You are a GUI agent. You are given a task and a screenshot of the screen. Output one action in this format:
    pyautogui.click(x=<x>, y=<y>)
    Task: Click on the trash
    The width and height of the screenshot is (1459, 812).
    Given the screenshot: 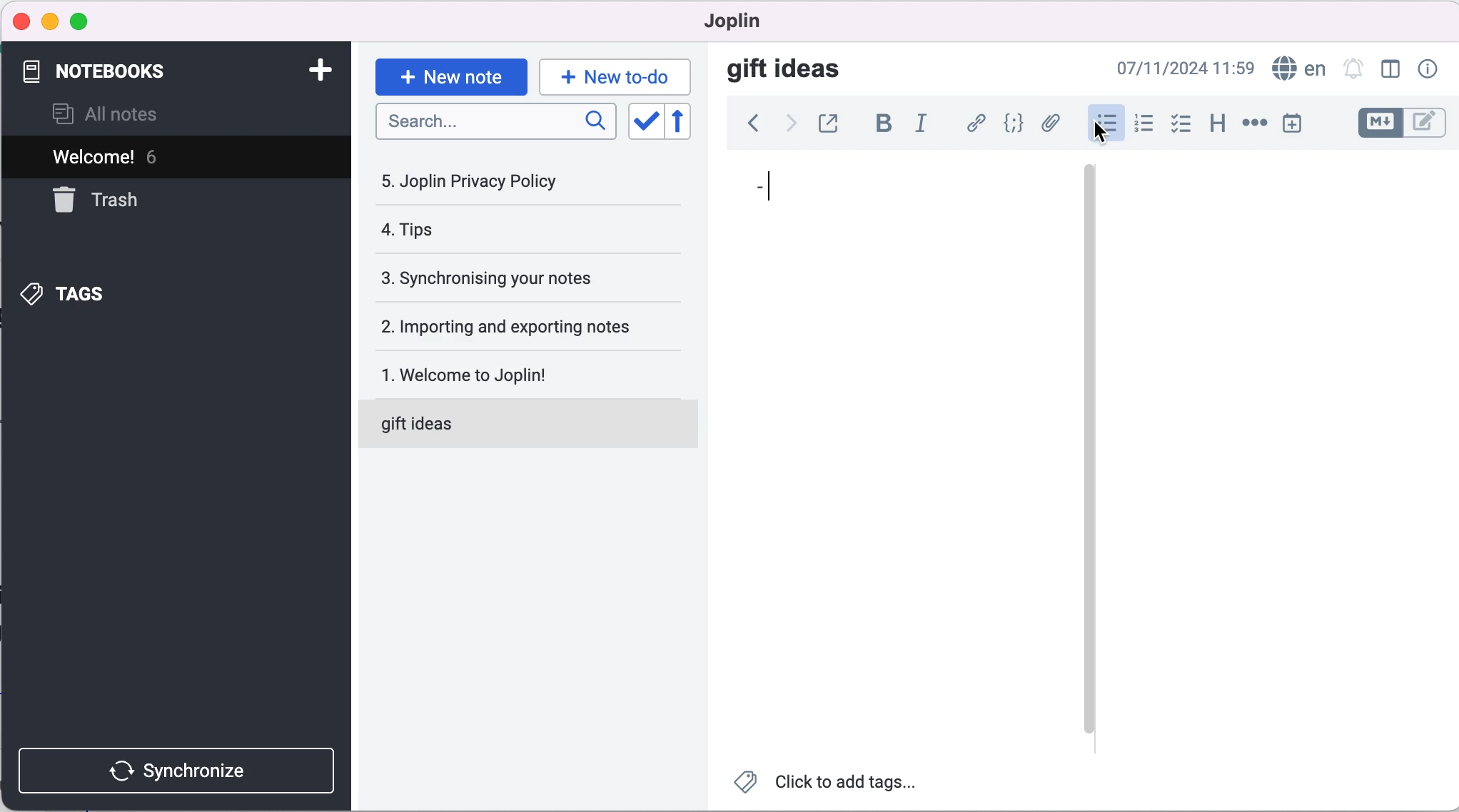 What is the action you would take?
    pyautogui.click(x=111, y=201)
    